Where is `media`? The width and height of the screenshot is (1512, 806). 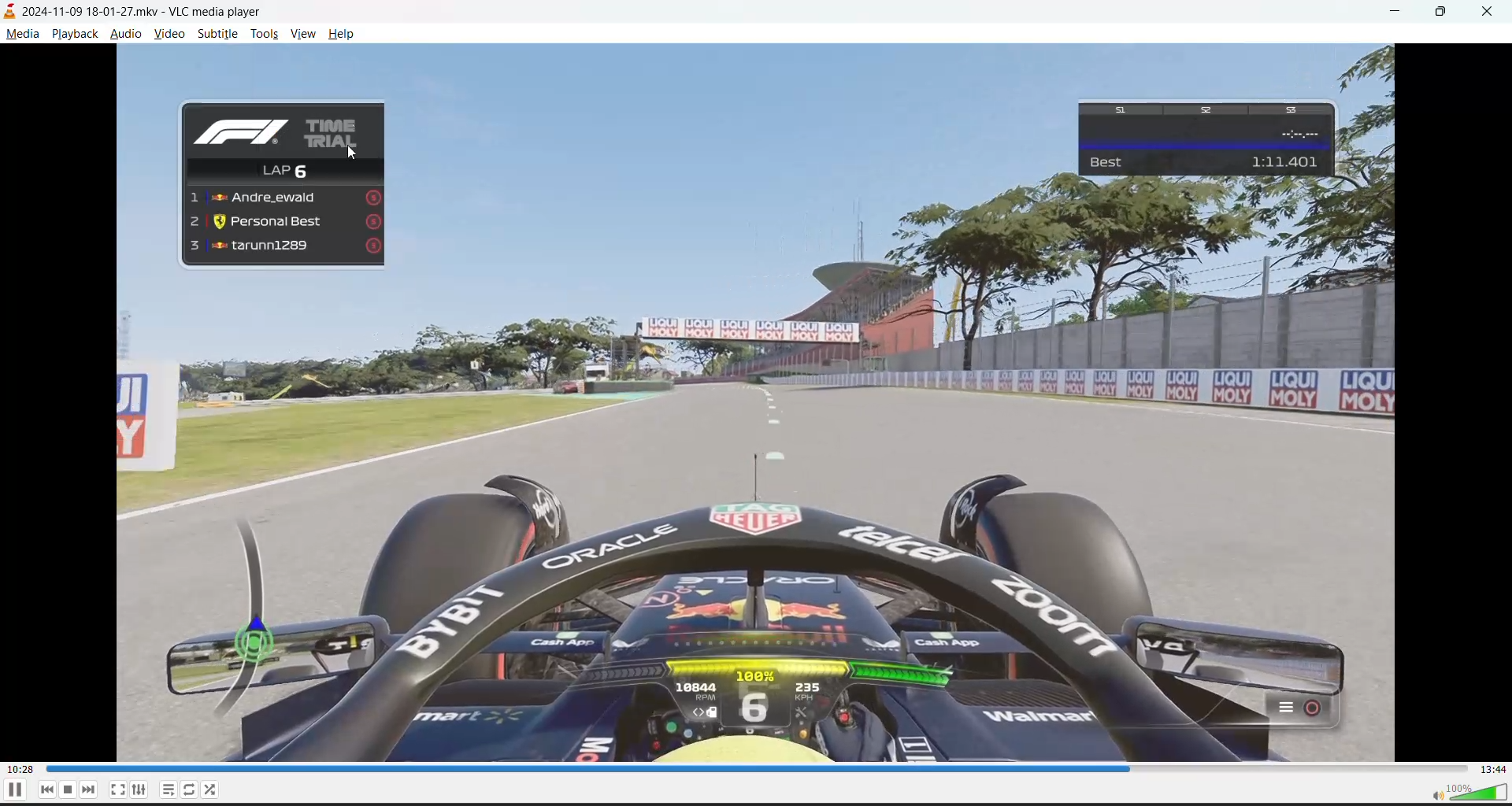
media is located at coordinates (22, 35).